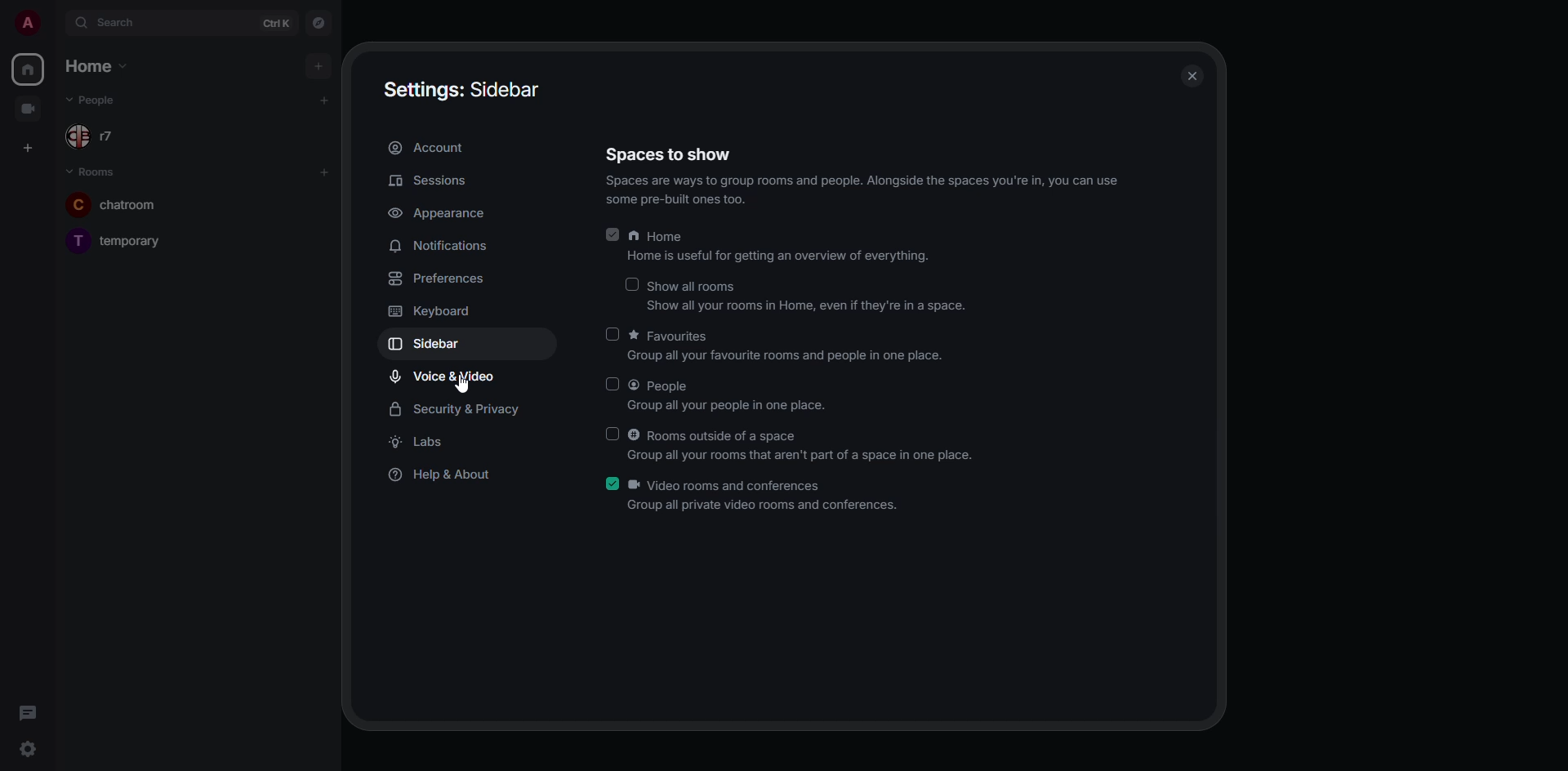 This screenshot has width=1568, height=771. I want to click on add, so click(327, 100).